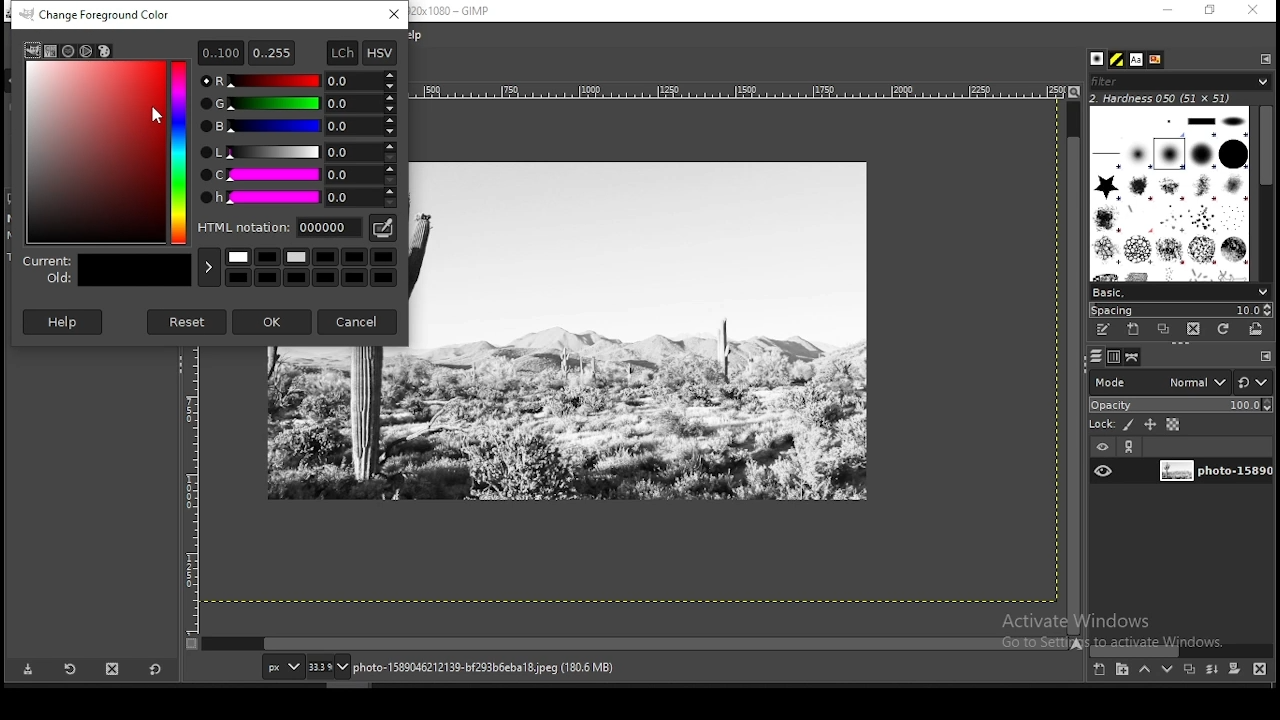  Describe the element at coordinates (1167, 669) in the screenshot. I see `move layer one step down` at that location.